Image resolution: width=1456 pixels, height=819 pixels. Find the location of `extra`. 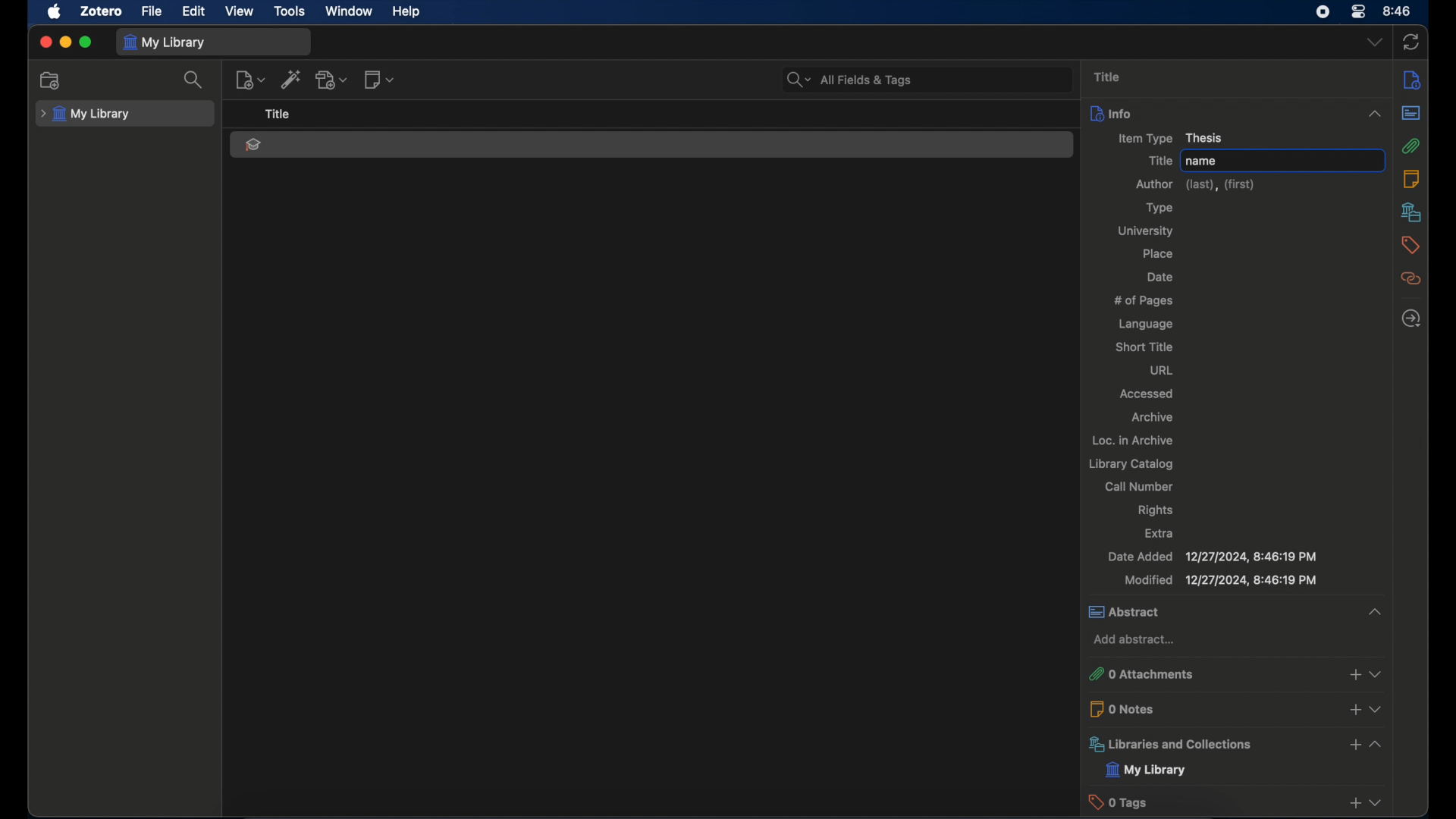

extra is located at coordinates (1159, 532).